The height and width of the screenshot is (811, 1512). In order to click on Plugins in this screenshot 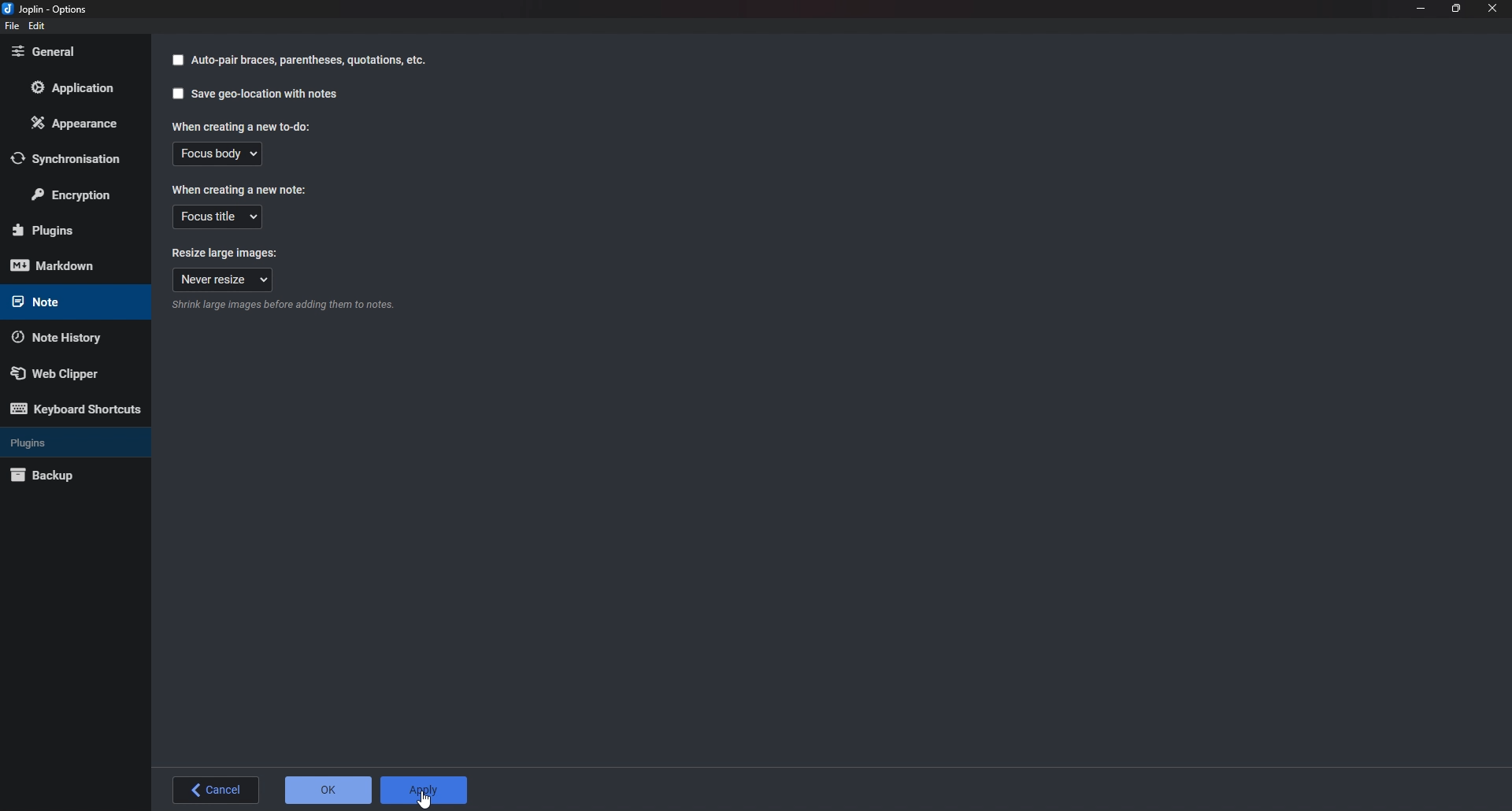, I will do `click(69, 231)`.